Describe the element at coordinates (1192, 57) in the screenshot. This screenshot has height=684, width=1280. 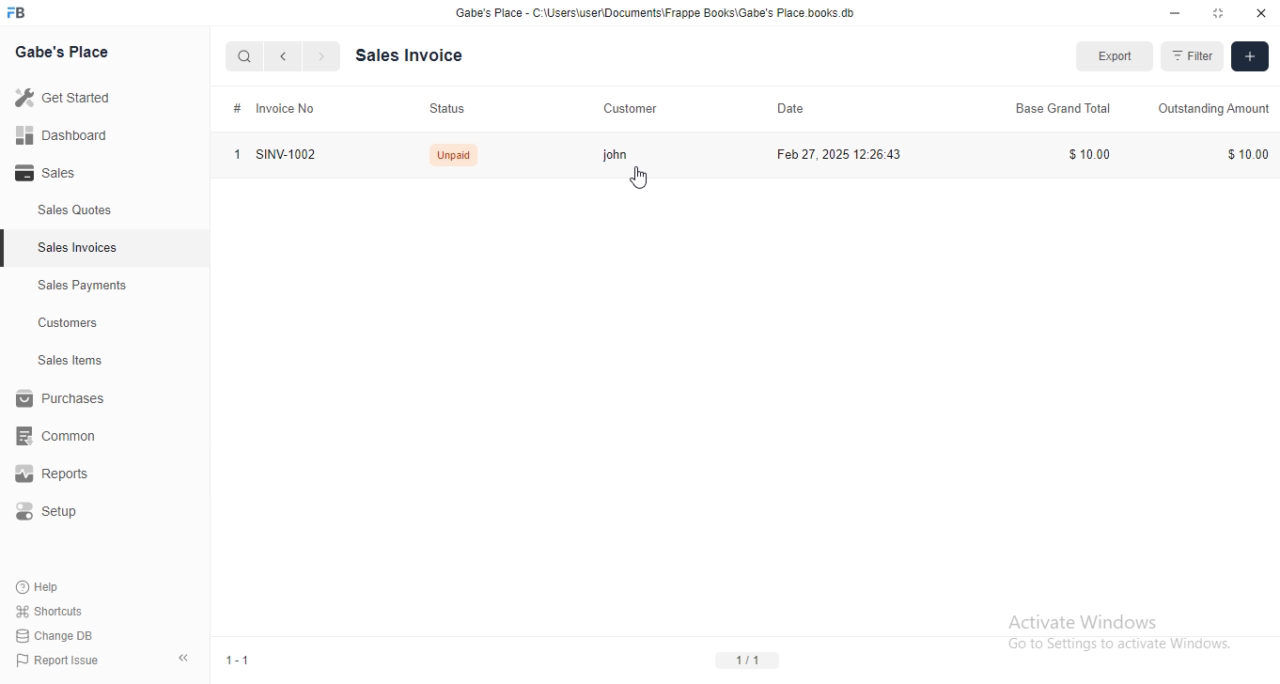
I see `filter` at that location.